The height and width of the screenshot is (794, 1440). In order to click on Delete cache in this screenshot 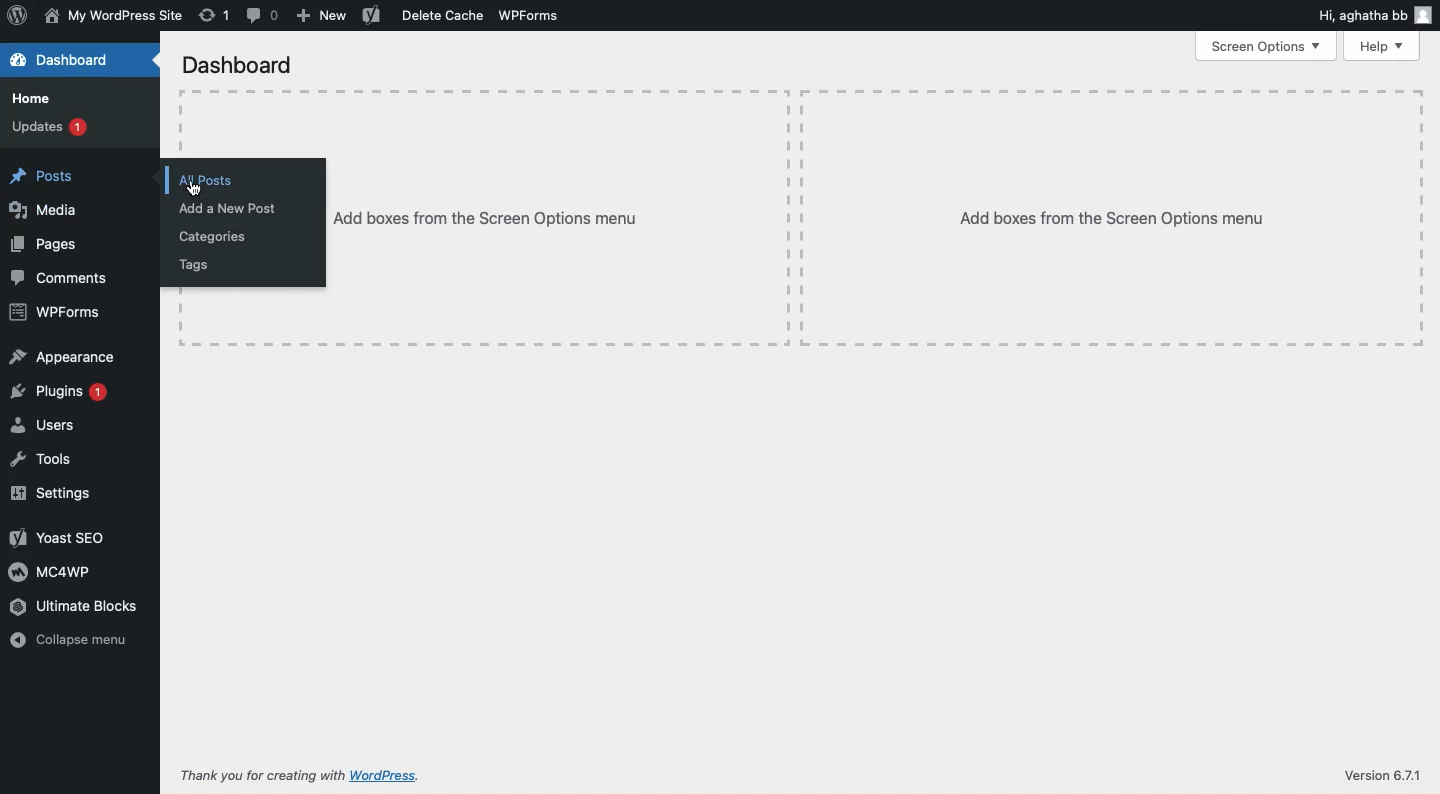, I will do `click(443, 16)`.